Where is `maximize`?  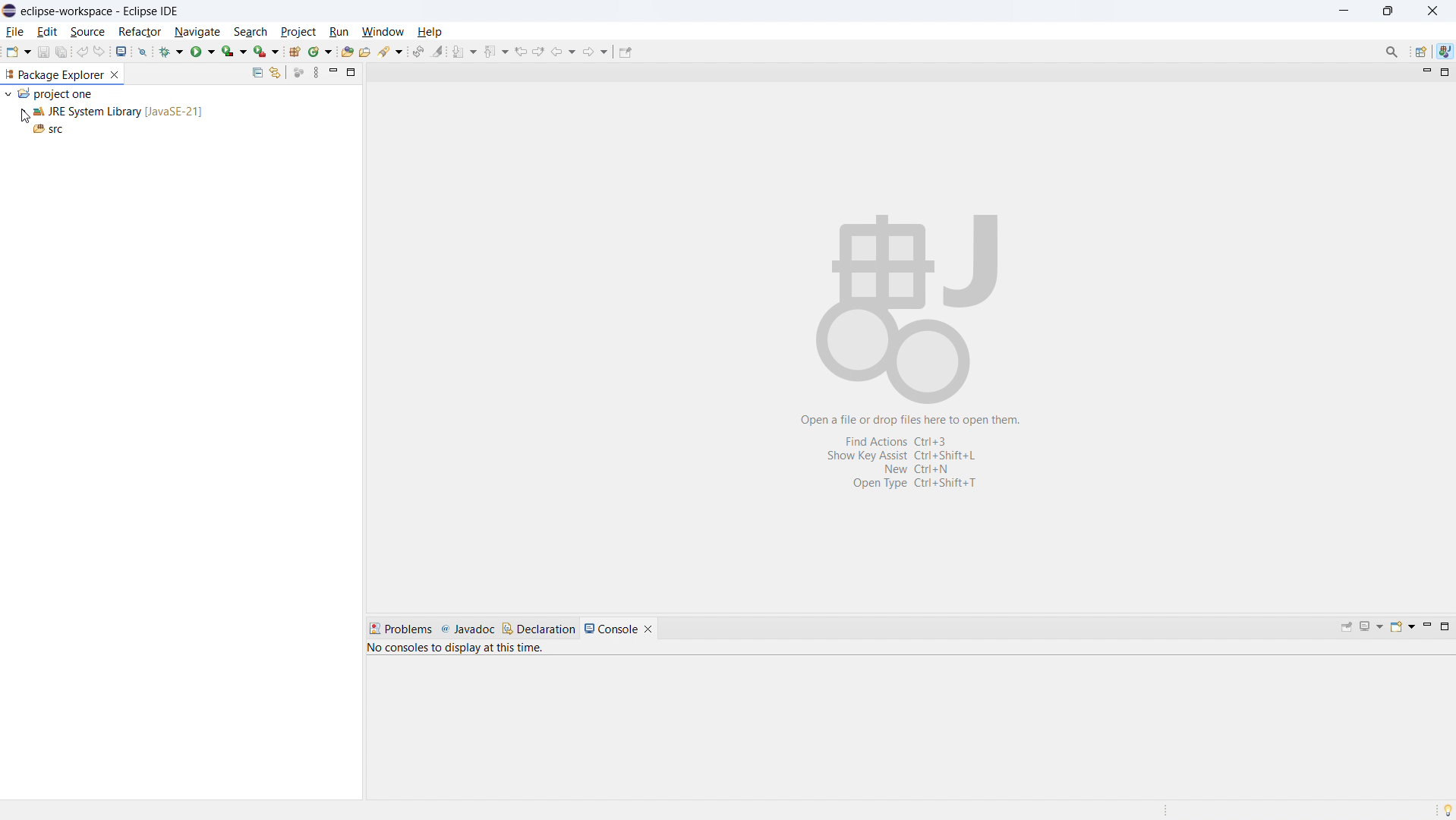
maximize is located at coordinates (1442, 72).